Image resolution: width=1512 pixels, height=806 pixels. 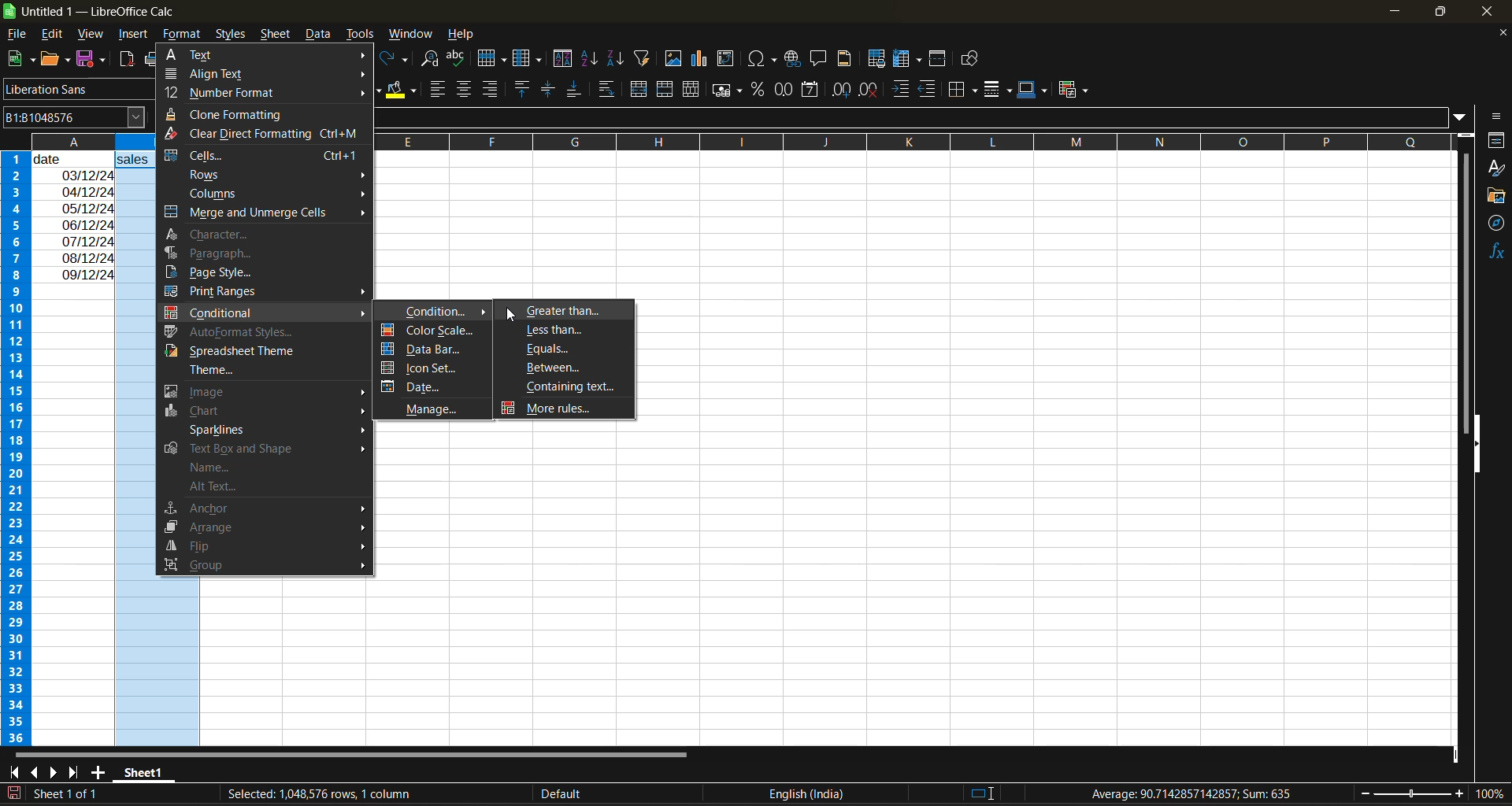 What do you see at coordinates (19, 33) in the screenshot?
I see `file` at bounding box center [19, 33].